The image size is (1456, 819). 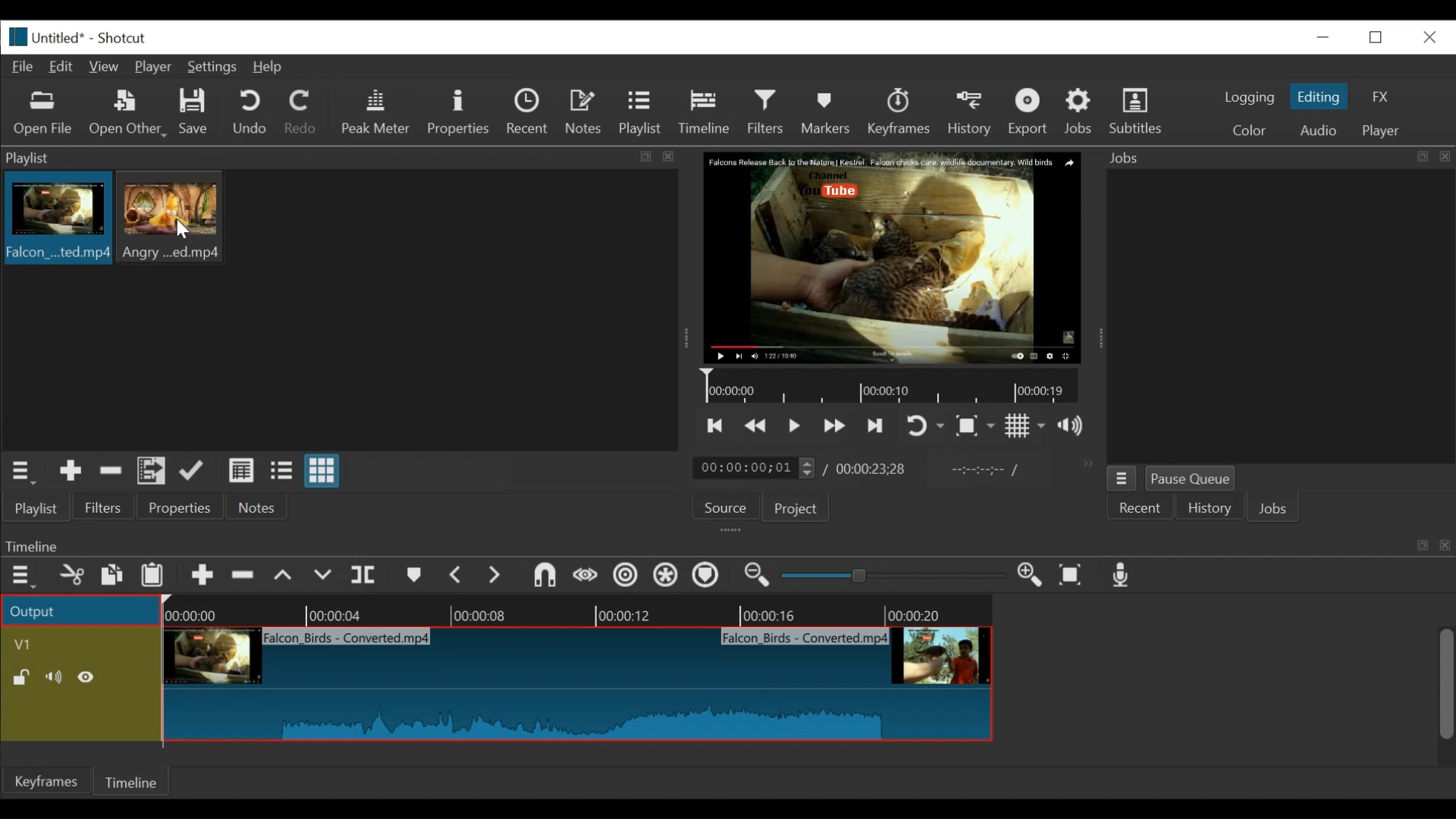 I want to click on current duration, so click(x=756, y=469).